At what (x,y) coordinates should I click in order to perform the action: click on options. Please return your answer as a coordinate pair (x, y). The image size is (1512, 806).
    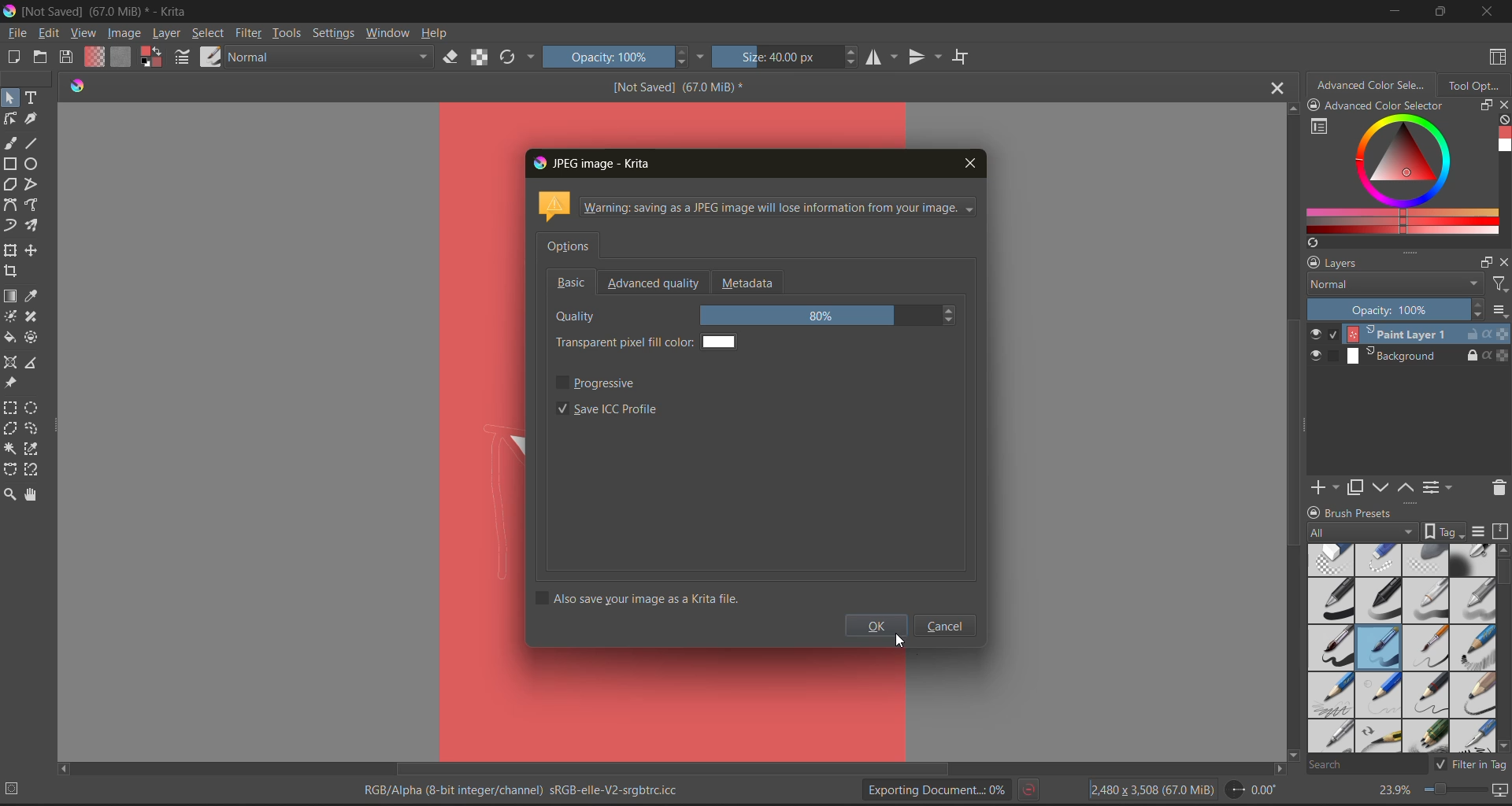
    Looking at the image, I should click on (568, 246).